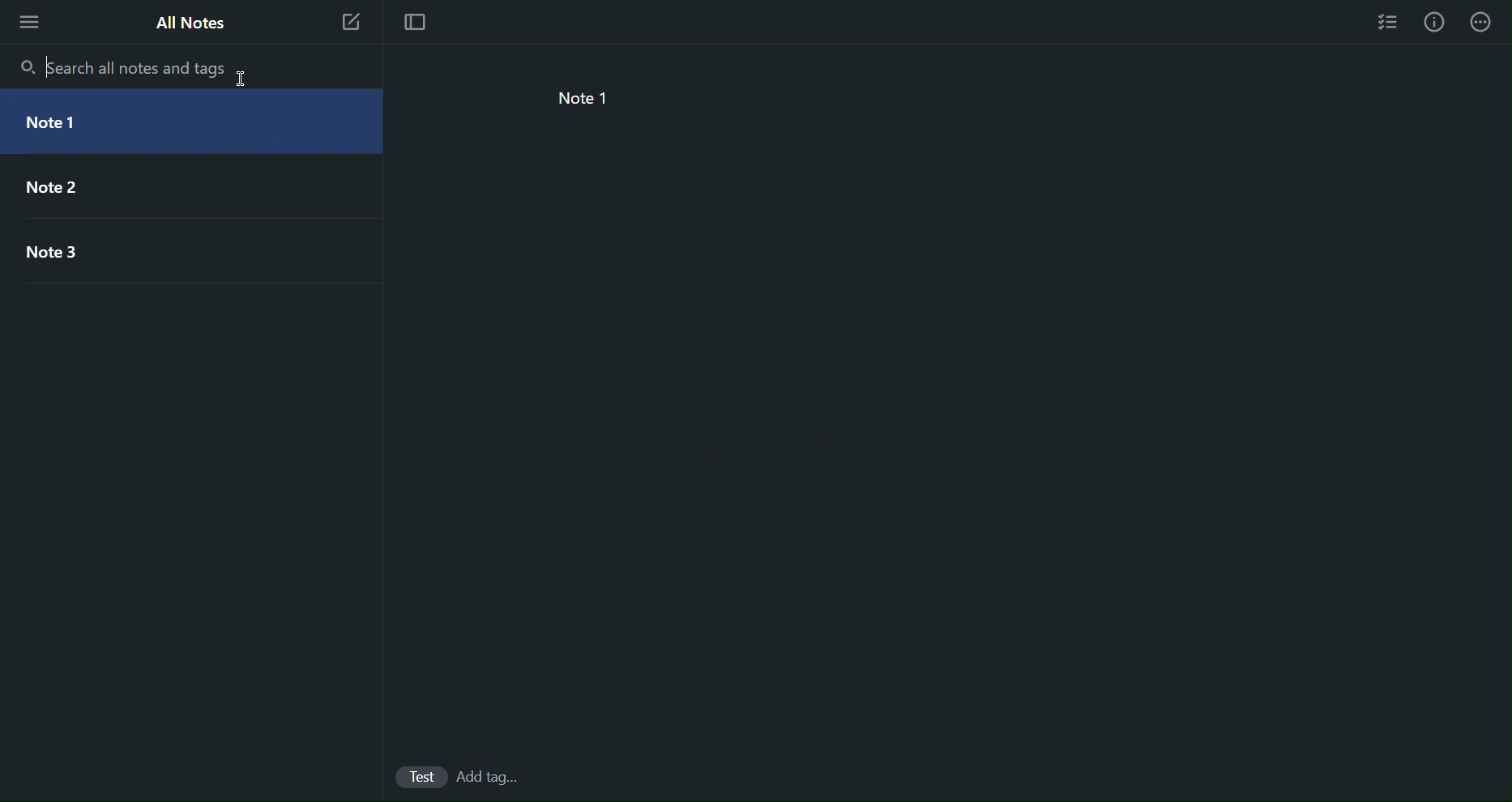  What do you see at coordinates (1384, 20) in the screenshot?
I see `Checklist` at bounding box center [1384, 20].